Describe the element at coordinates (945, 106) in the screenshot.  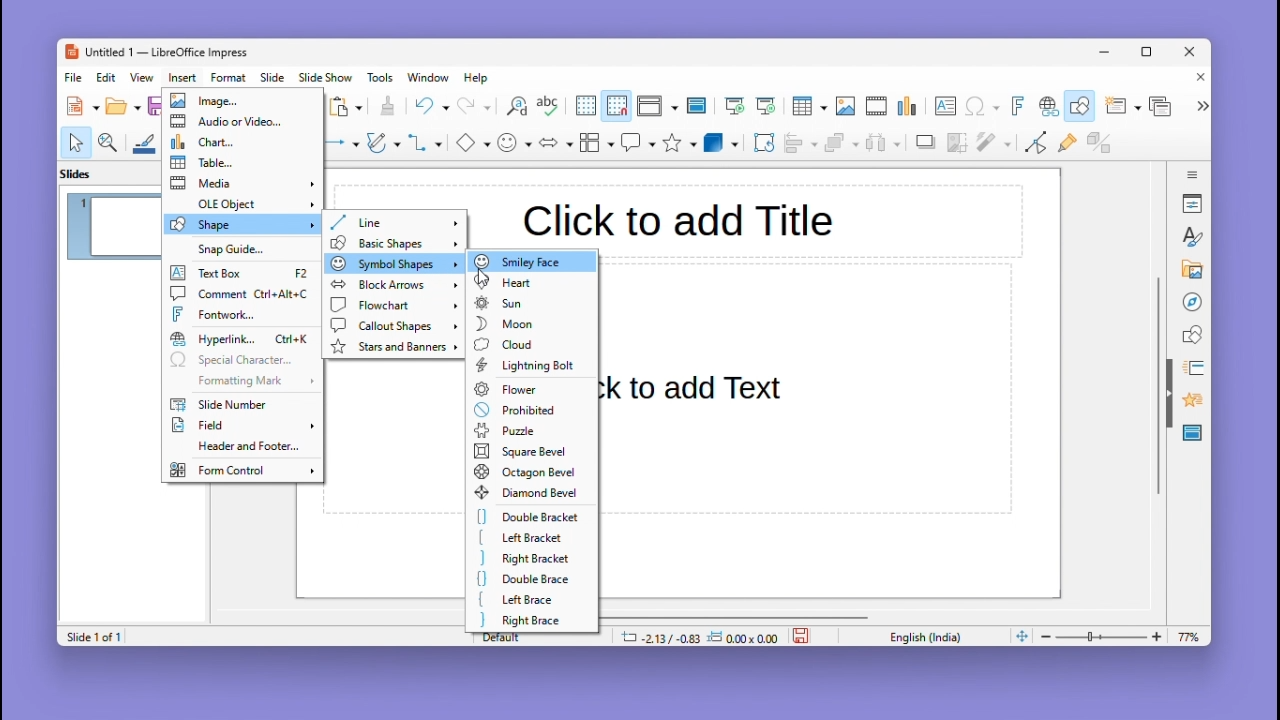
I see `Text box` at that location.